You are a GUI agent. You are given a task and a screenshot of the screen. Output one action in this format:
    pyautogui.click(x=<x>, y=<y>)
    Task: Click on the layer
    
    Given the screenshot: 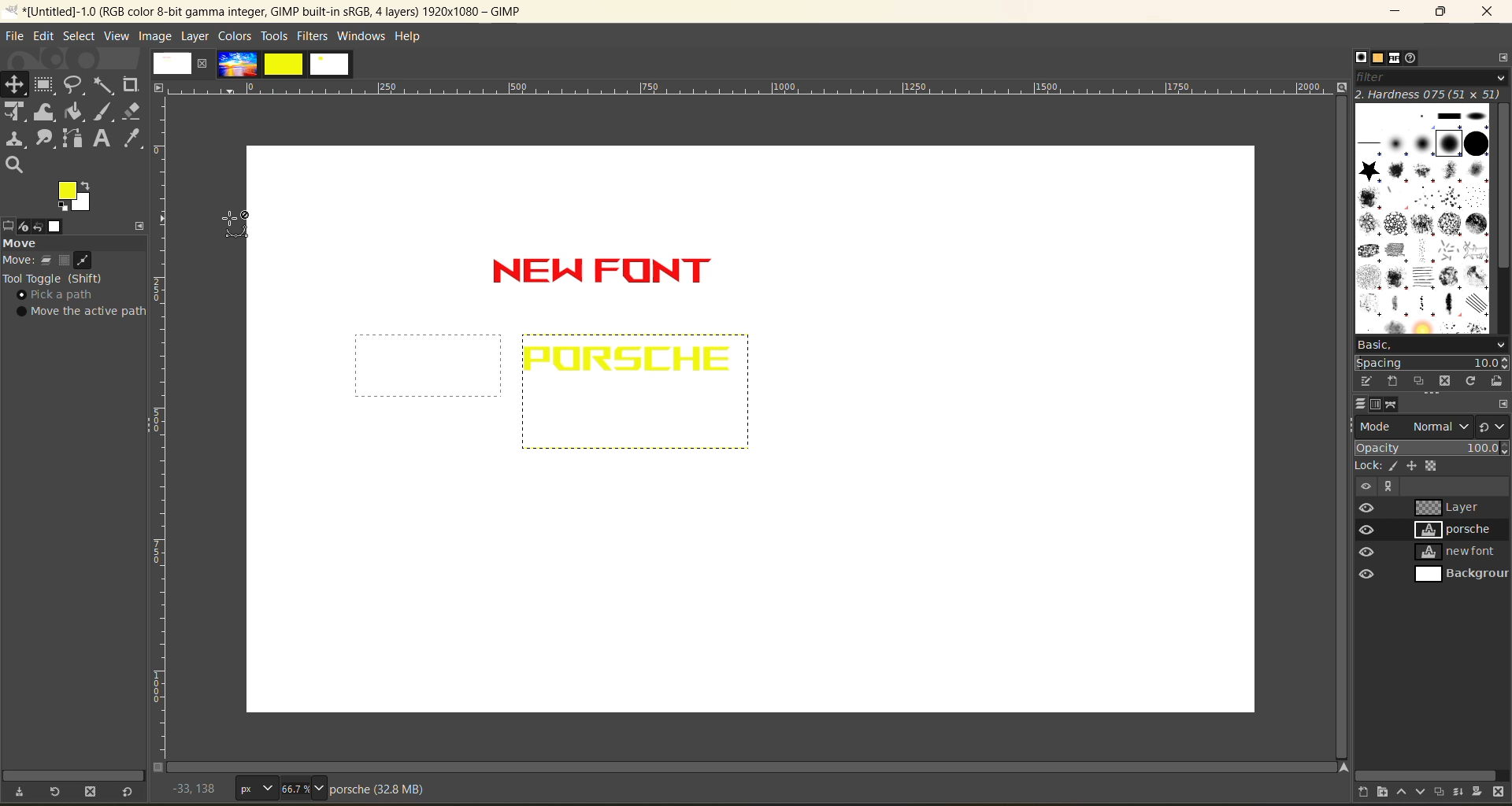 What is the action you would take?
    pyautogui.click(x=197, y=36)
    